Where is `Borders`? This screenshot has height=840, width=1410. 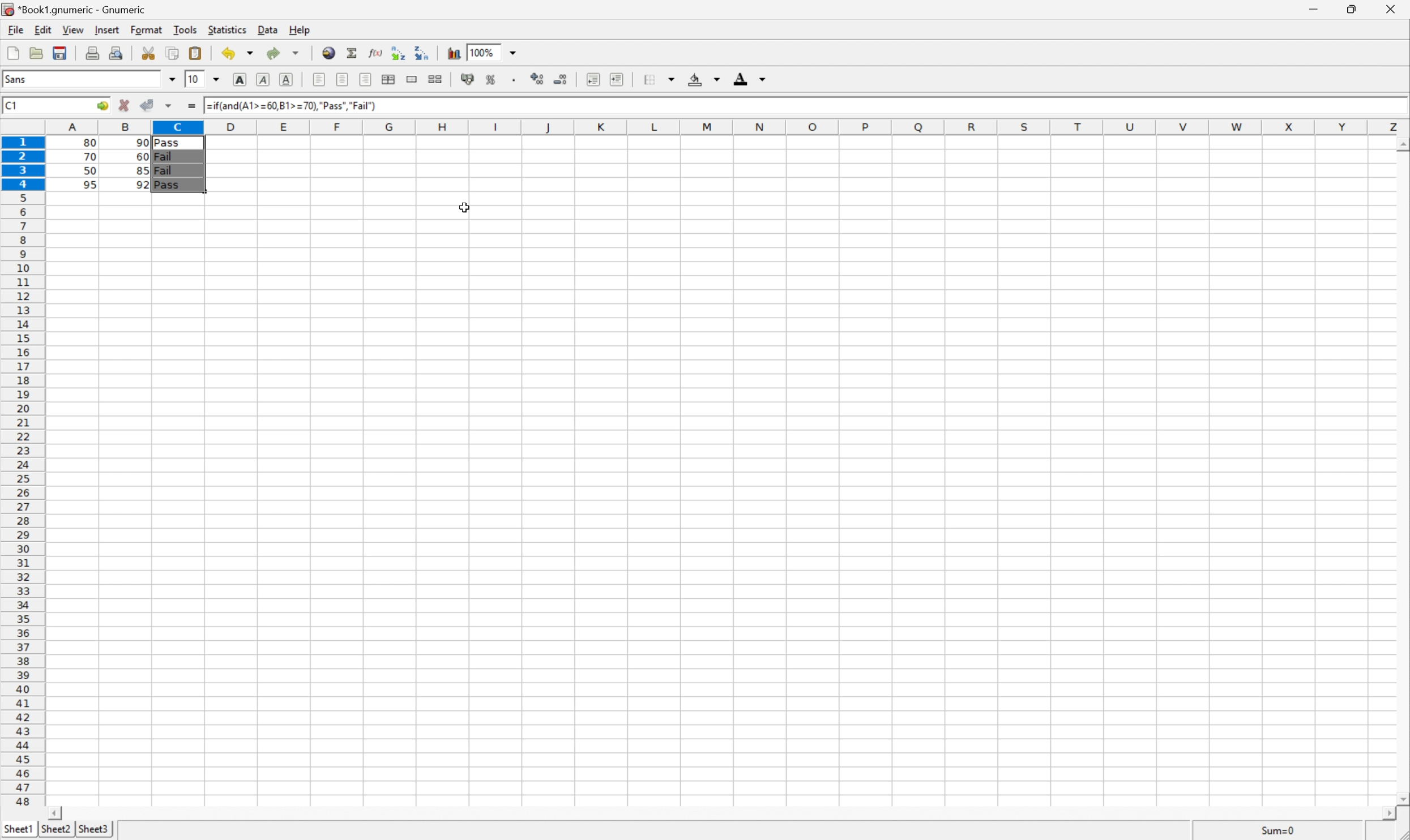 Borders is located at coordinates (659, 76).